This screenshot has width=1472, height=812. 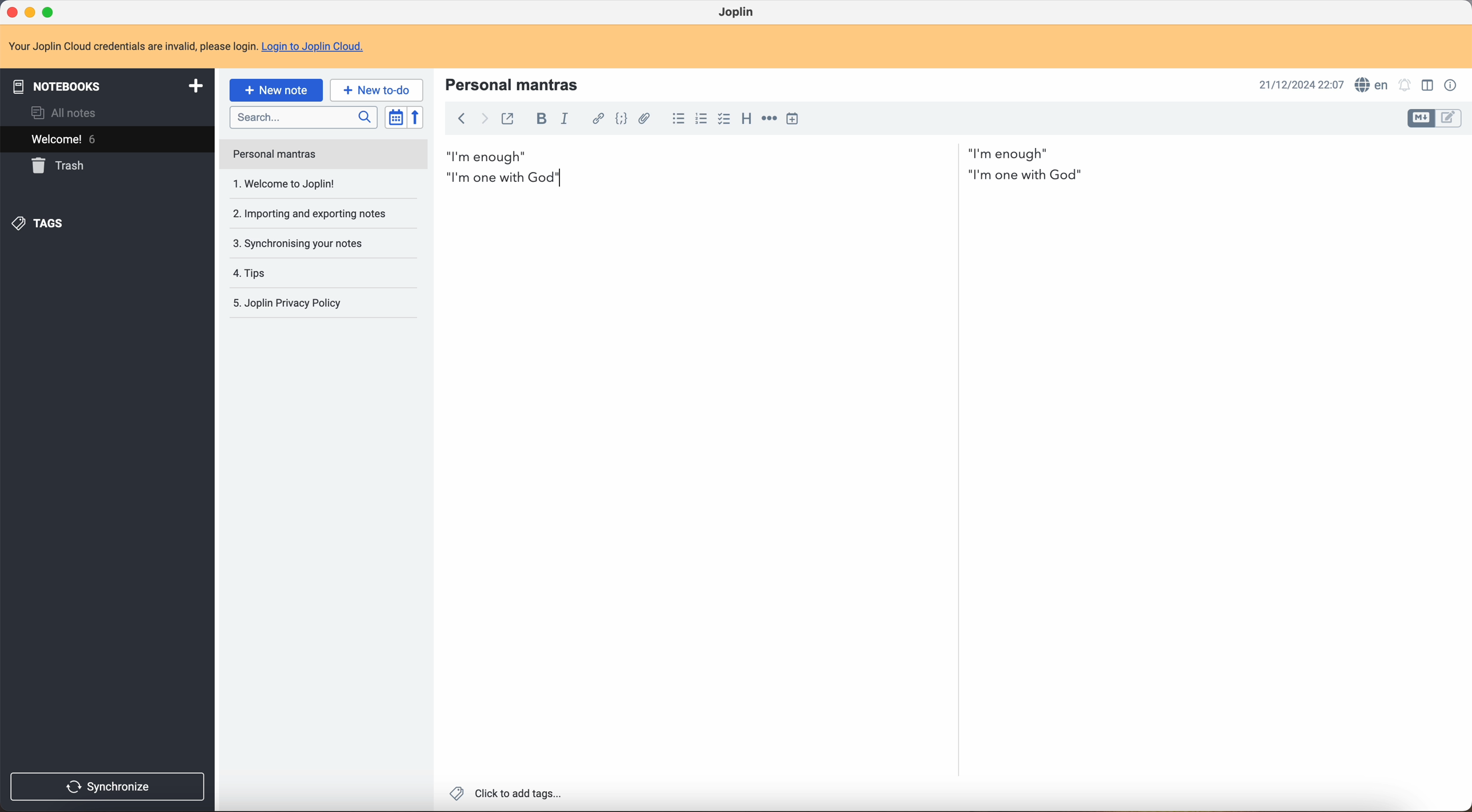 I want to click on trash, so click(x=61, y=166).